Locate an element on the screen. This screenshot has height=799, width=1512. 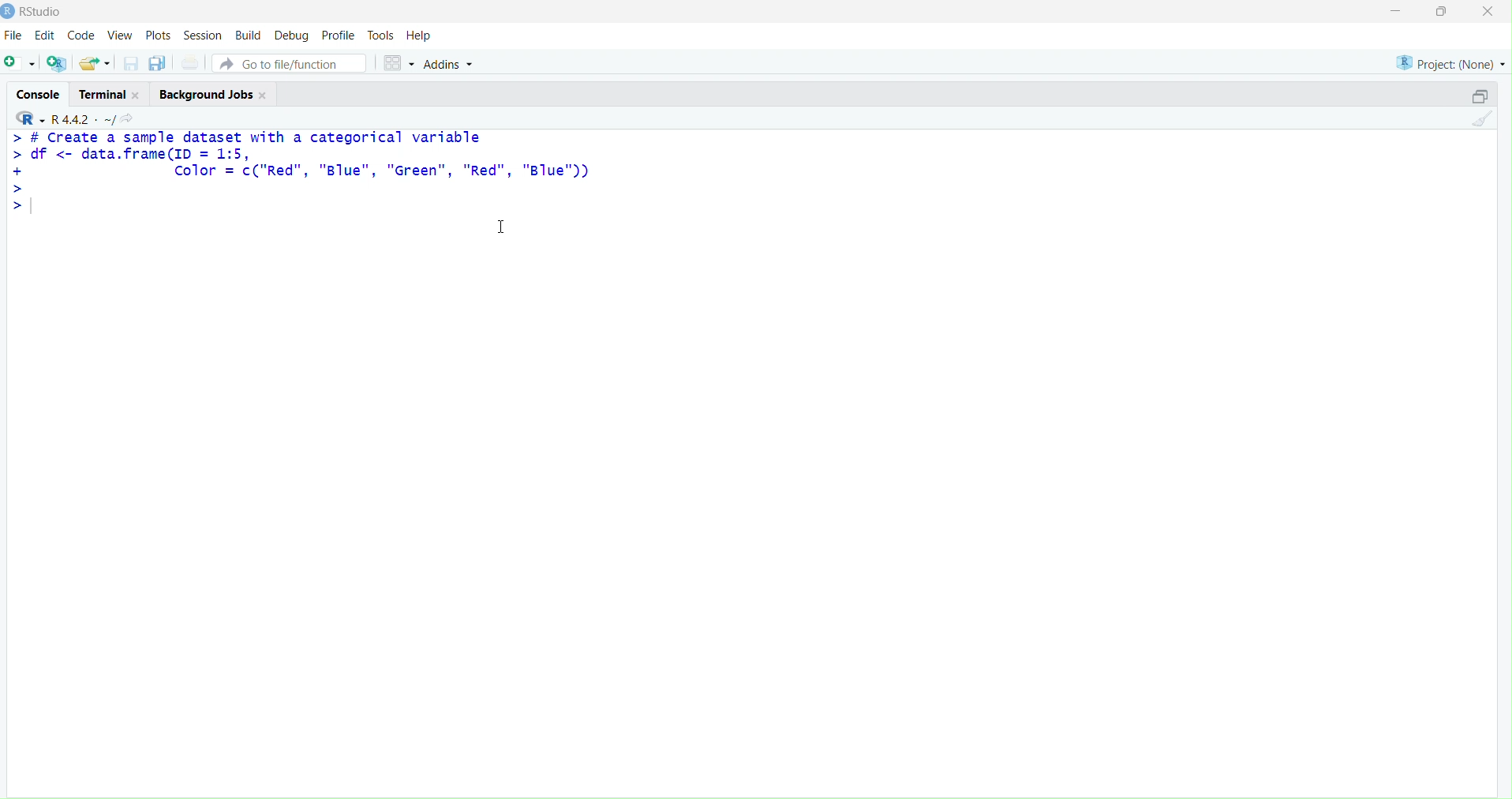
view is located at coordinates (122, 35).